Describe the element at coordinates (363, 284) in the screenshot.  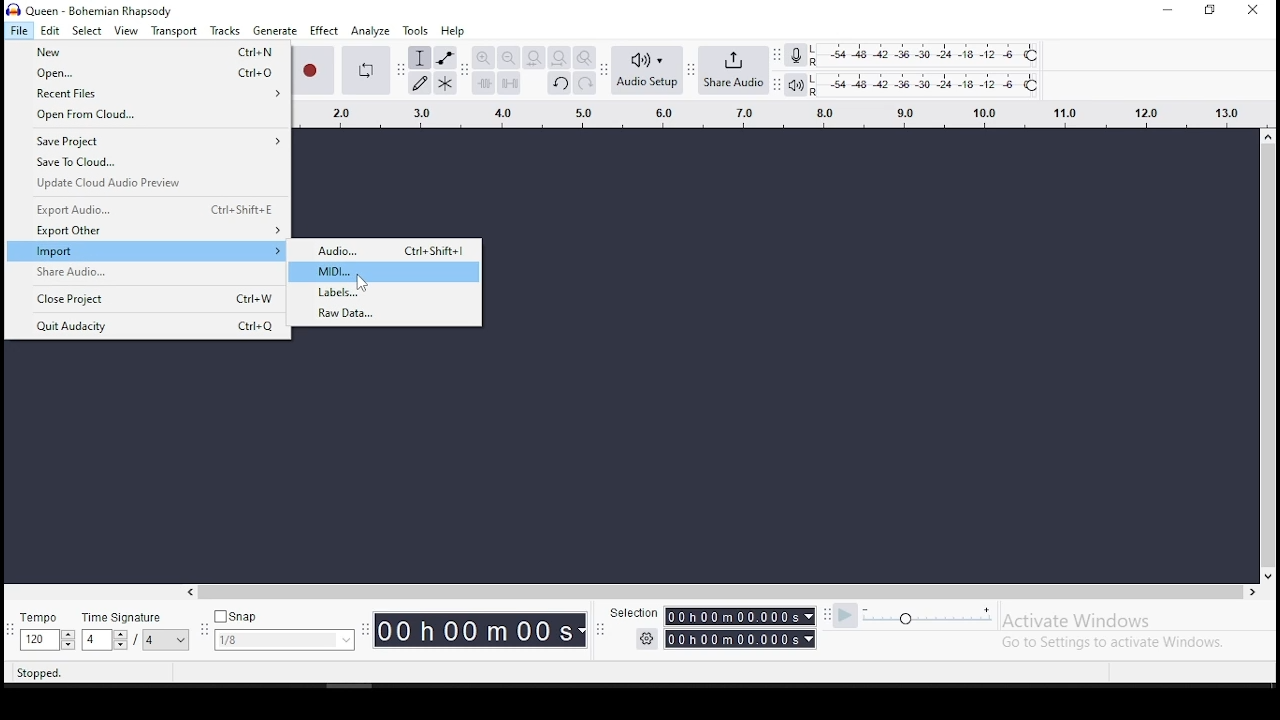
I see `cursor` at that location.